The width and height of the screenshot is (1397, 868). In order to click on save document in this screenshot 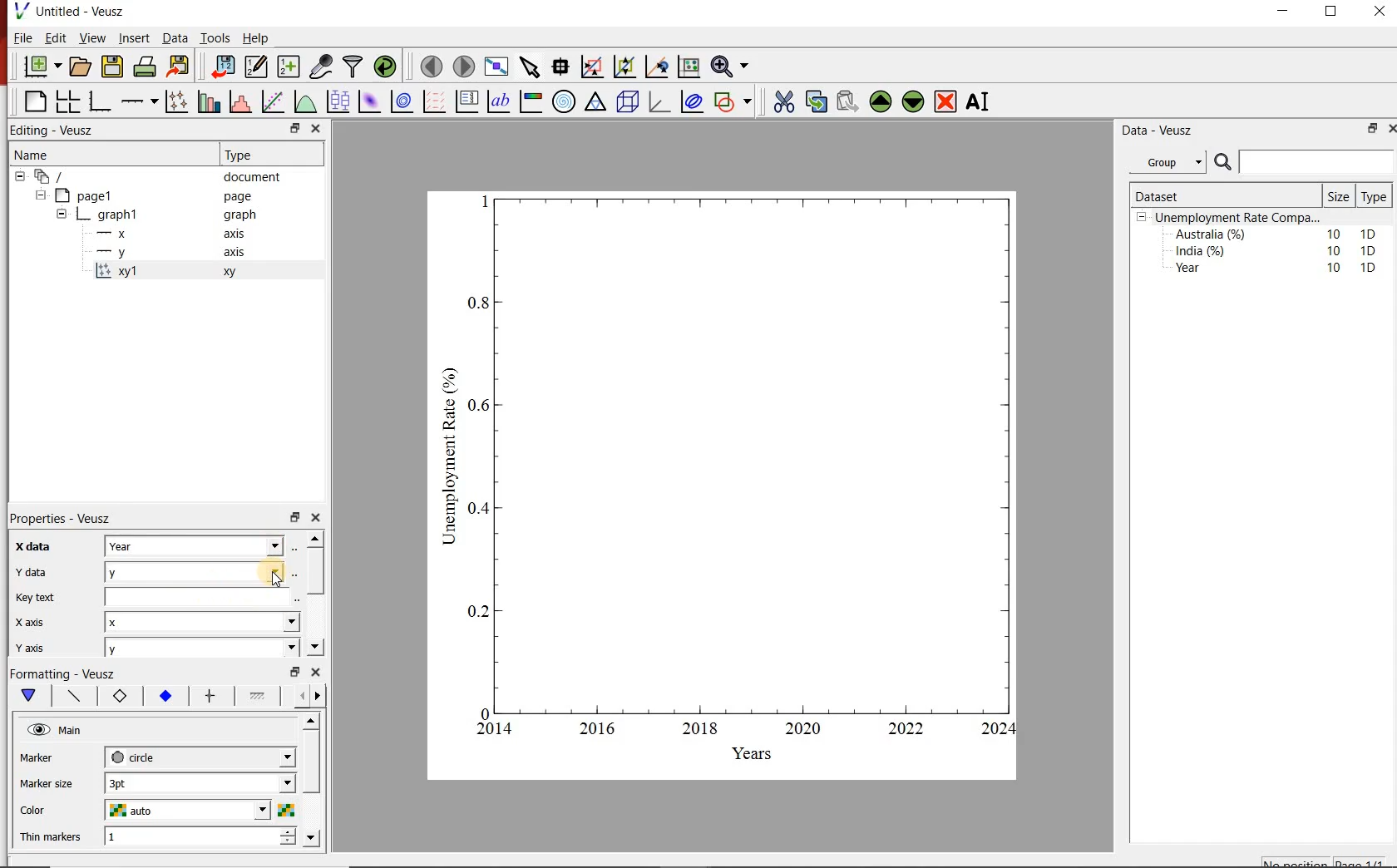, I will do `click(112, 66)`.